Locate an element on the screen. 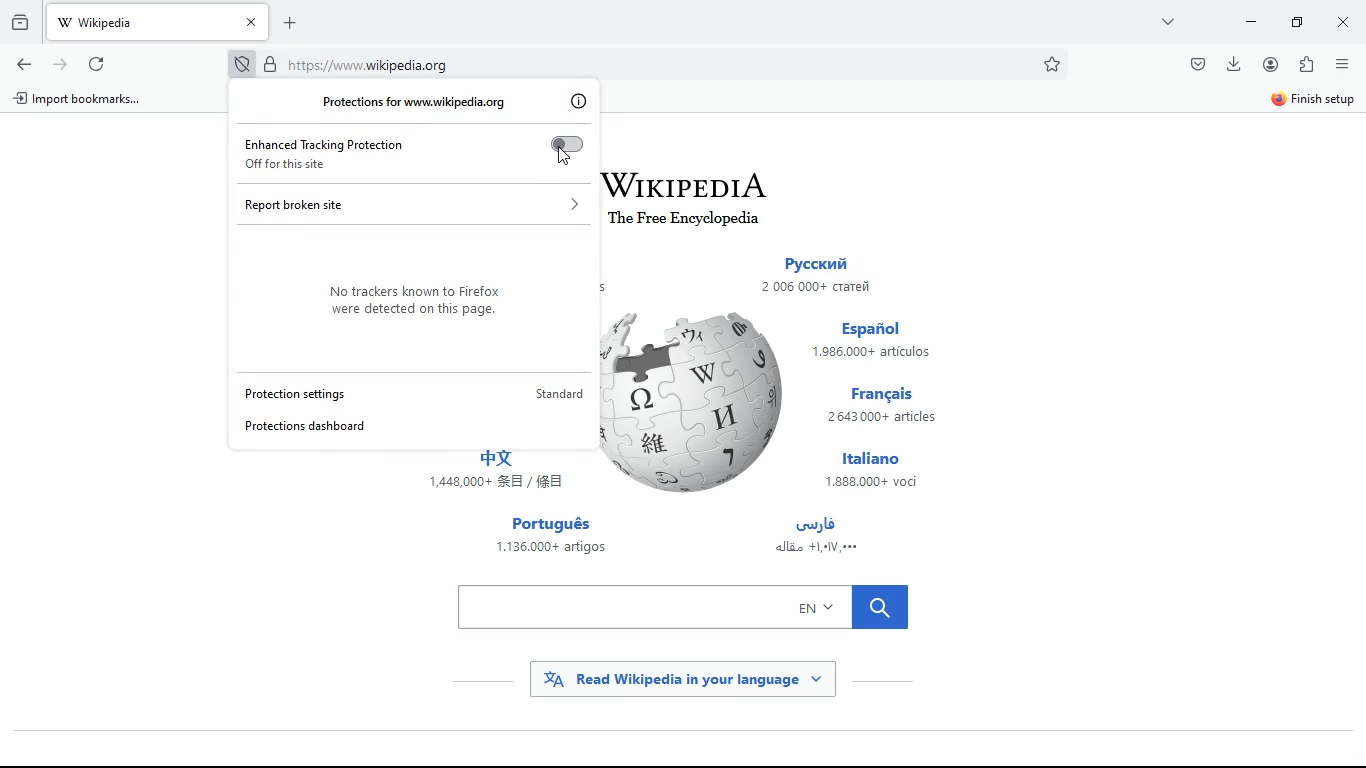 This screenshot has height=768, width=1366. close is located at coordinates (1340, 22).